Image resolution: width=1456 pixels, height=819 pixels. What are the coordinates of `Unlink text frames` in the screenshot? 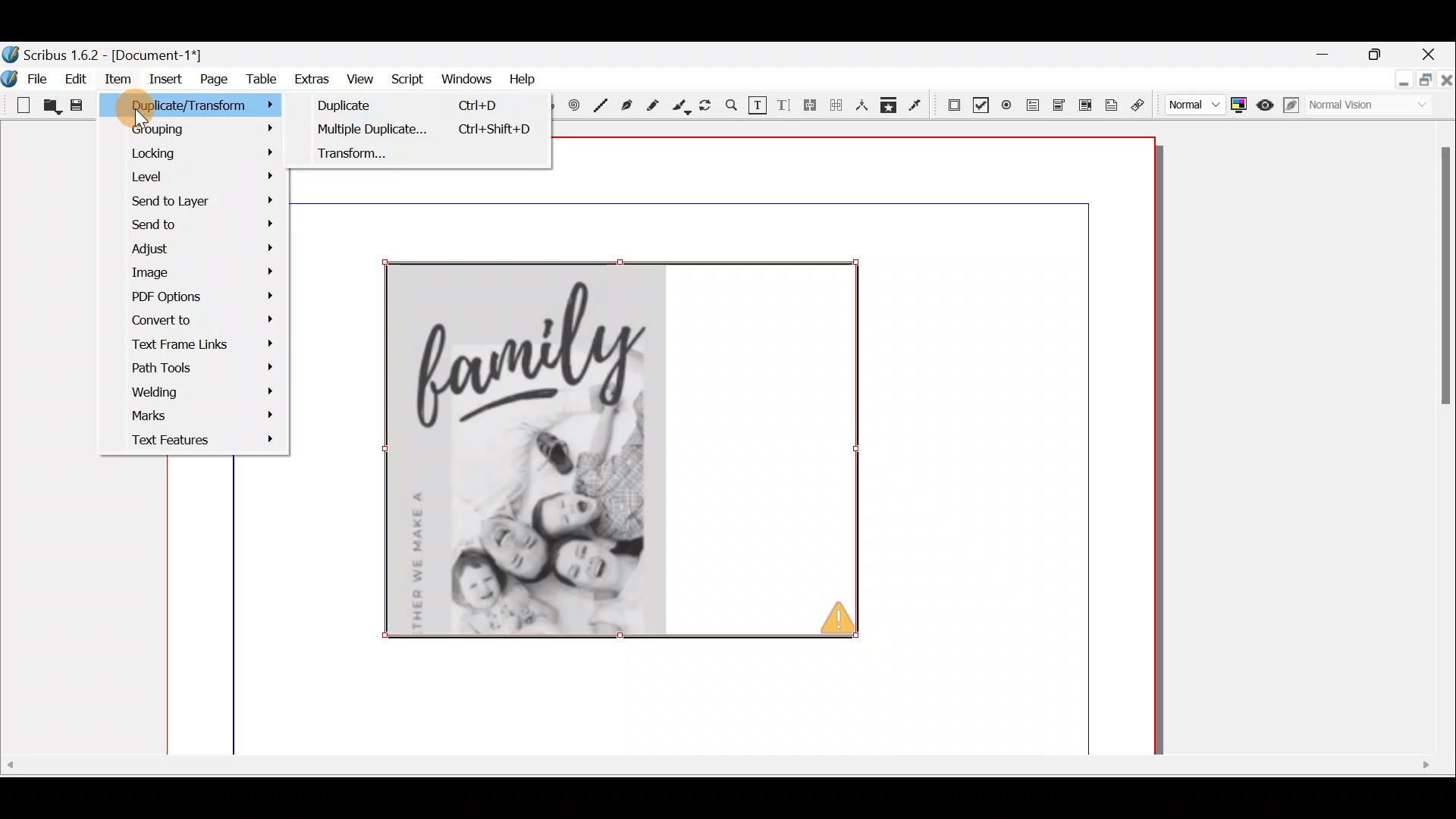 It's located at (836, 108).